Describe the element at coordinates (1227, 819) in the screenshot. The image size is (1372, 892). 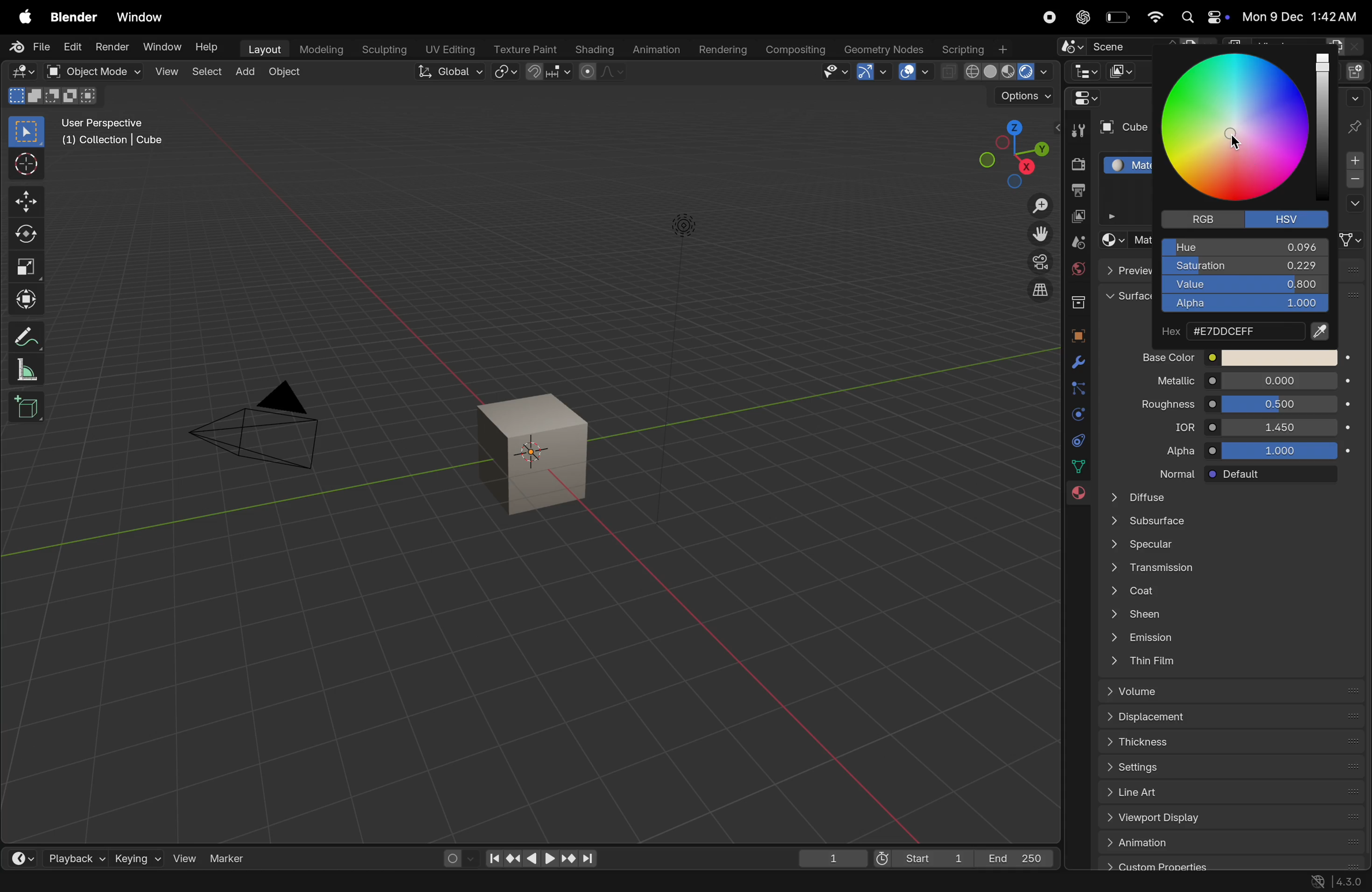
I see `view port display` at that location.